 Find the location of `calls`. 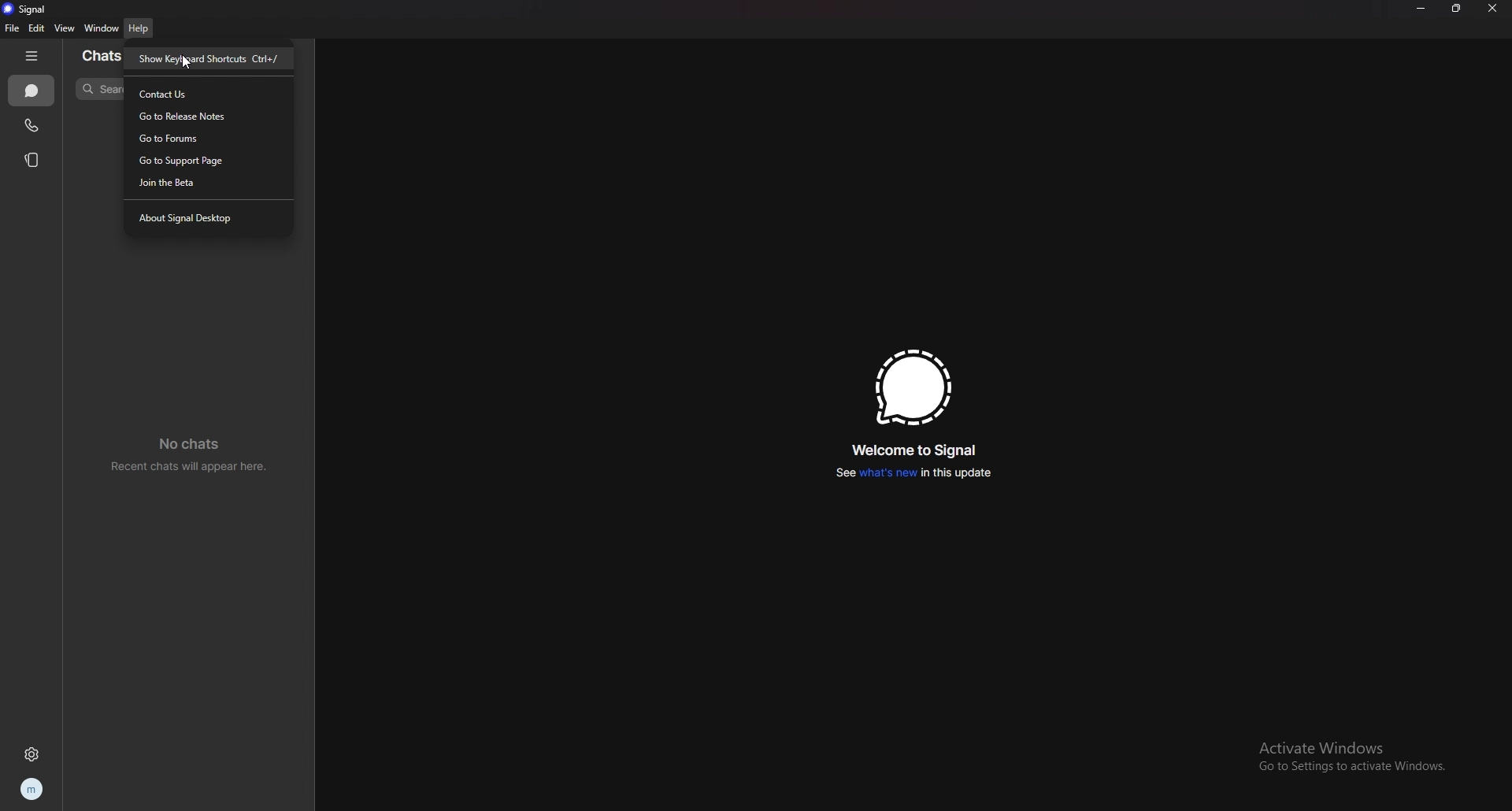

calls is located at coordinates (30, 126).